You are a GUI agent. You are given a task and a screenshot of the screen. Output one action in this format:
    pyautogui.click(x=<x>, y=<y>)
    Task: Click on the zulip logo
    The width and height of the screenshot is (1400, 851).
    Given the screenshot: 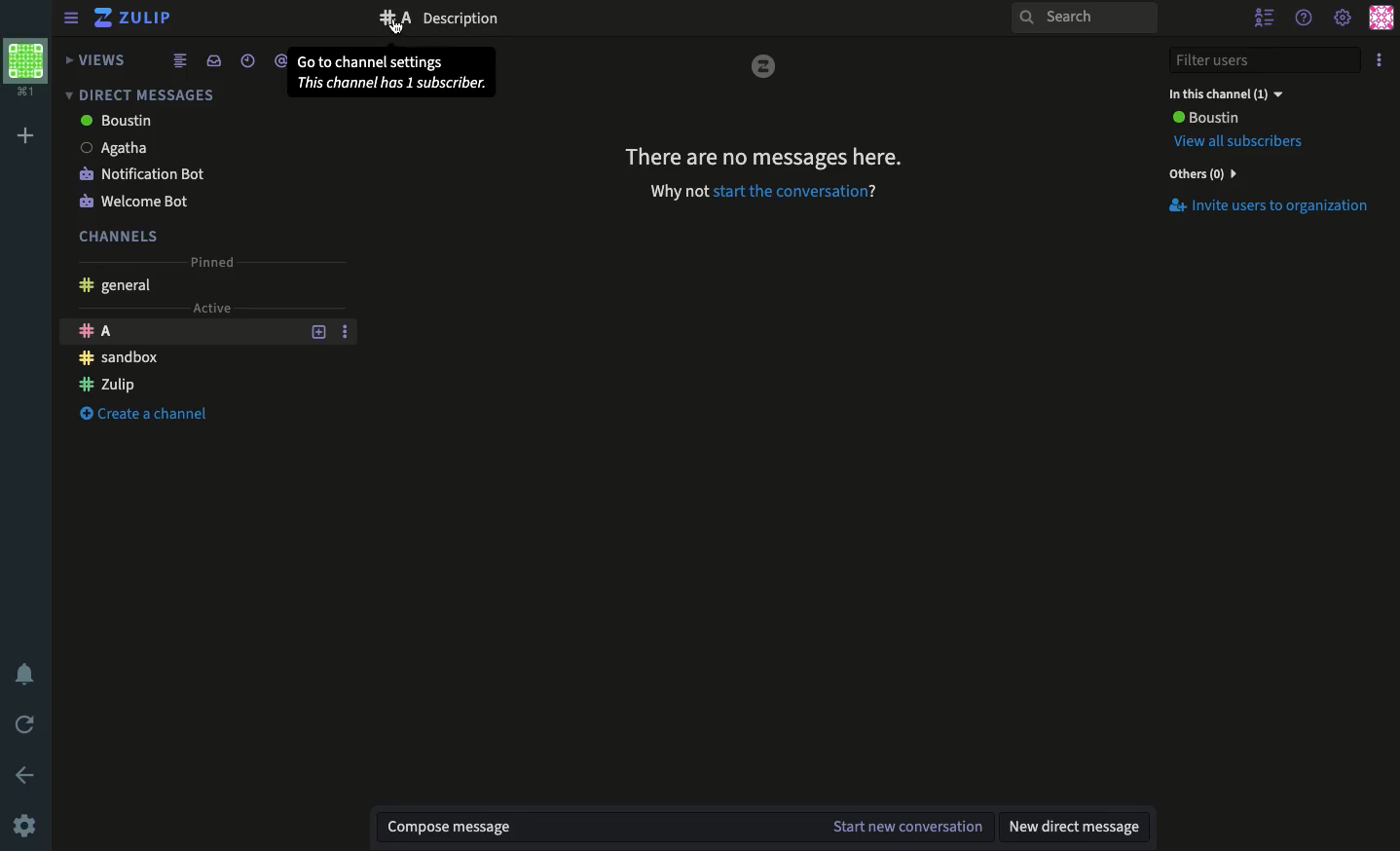 What is the action you would take?
    pyautogui.click(x=764, y=67)
    